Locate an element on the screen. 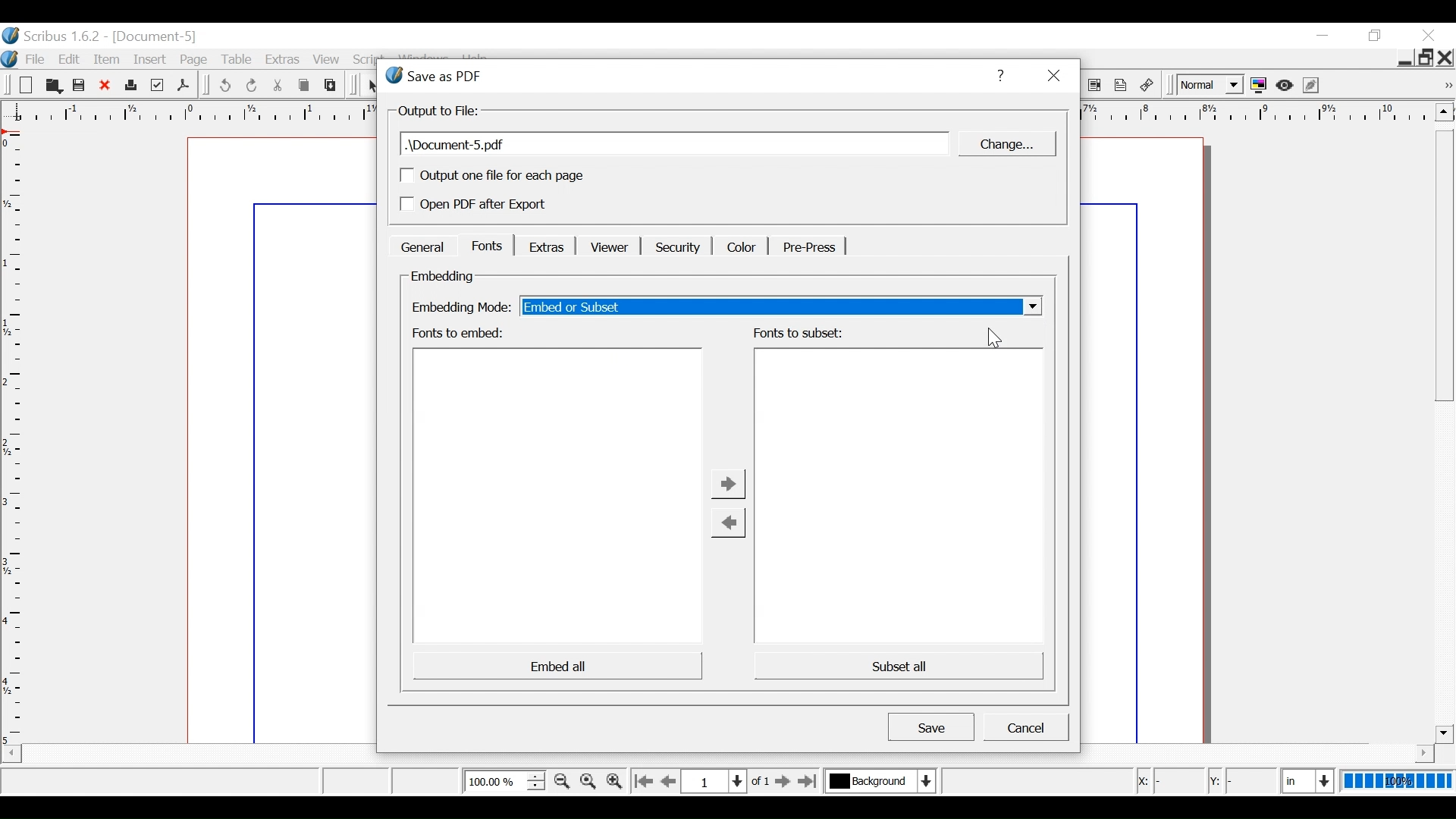 This screenshot has height=819, width=1456. Undo is located at coordinates (224, 86).